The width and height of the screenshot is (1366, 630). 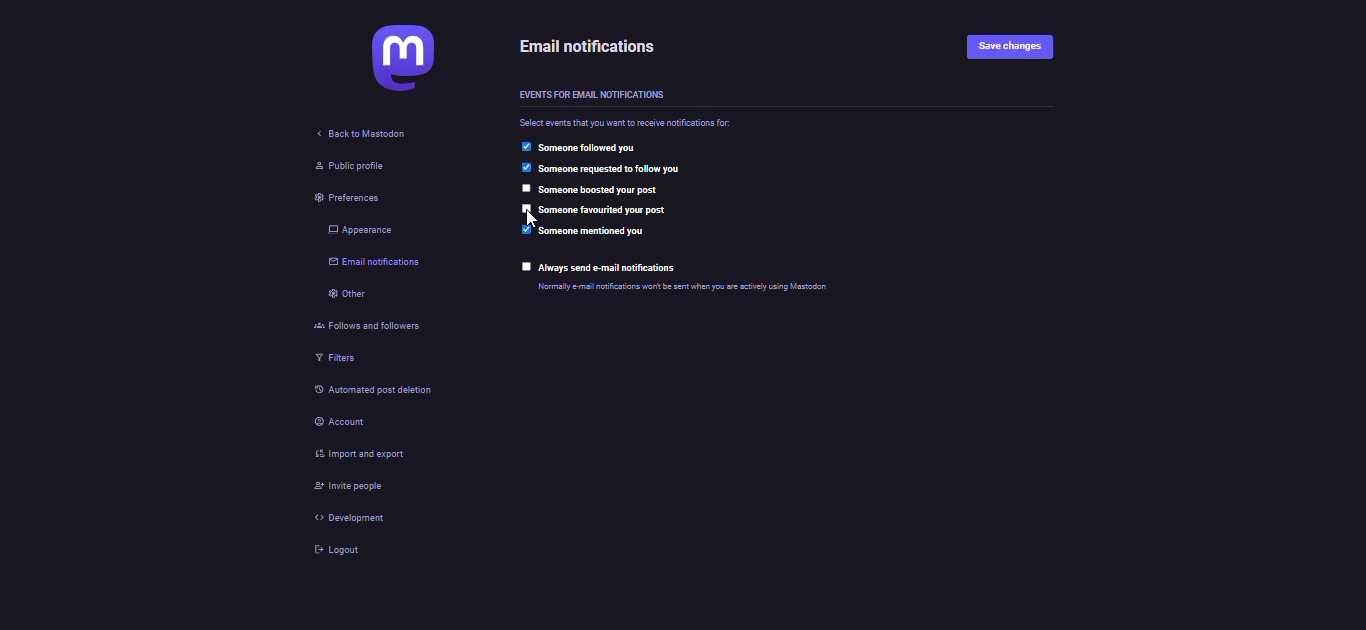 I want to click on click to enable, so click(x=524, y=209).